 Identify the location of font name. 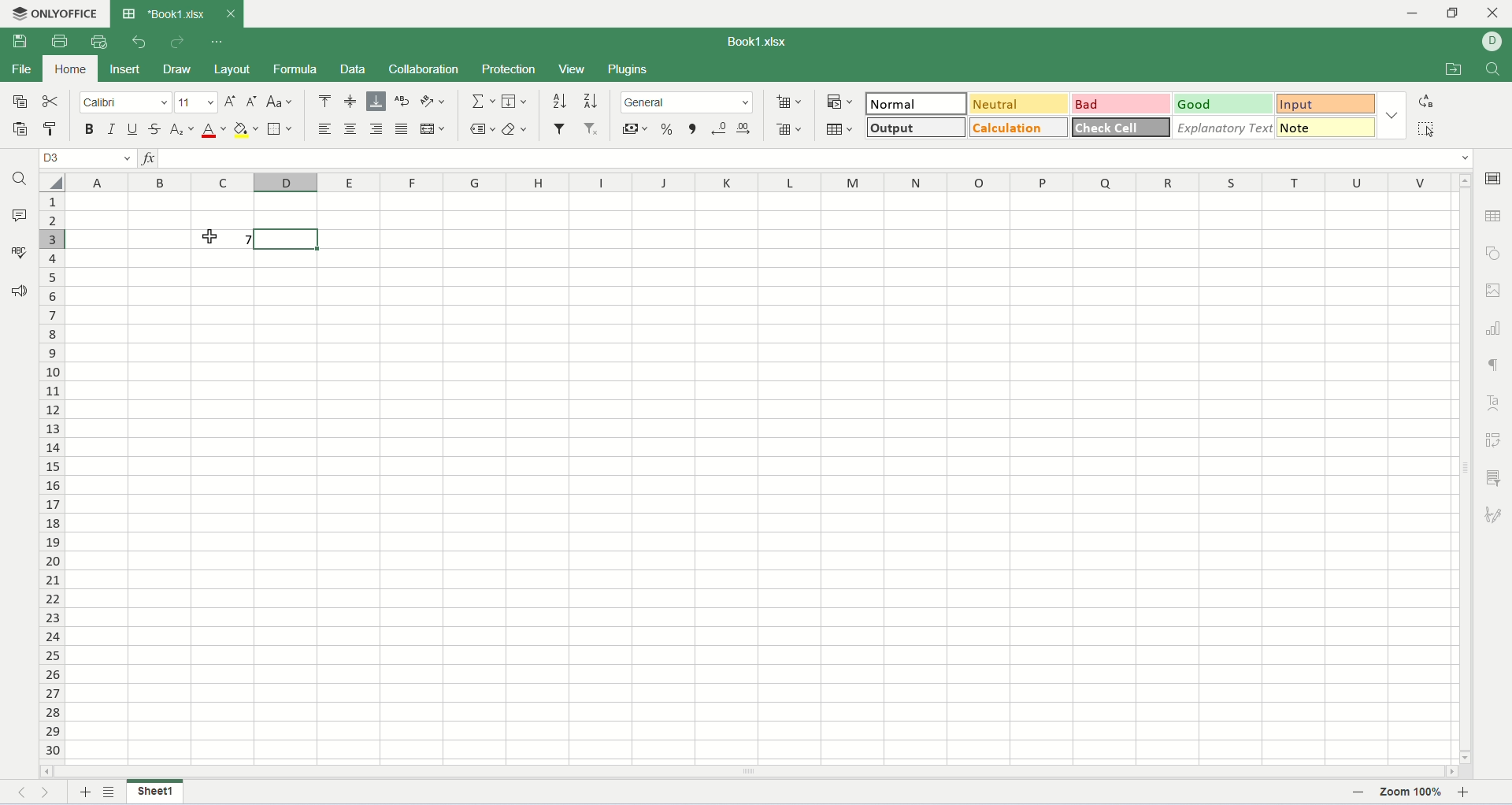
(126, 103).